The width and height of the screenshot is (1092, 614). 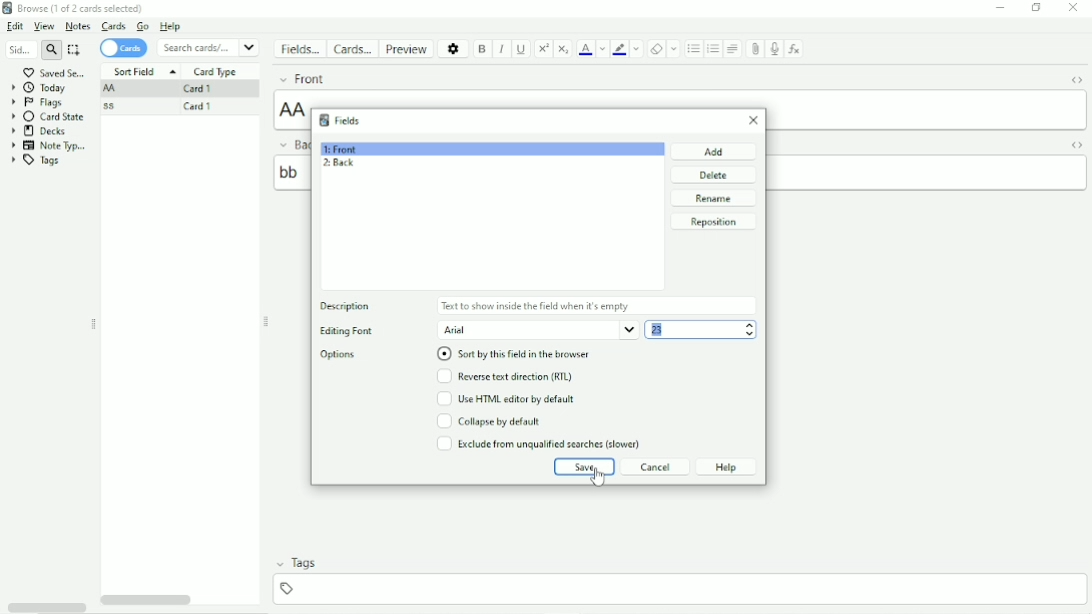 I want to click on Toggle HTML Editor, so click(x=1075, y=79).